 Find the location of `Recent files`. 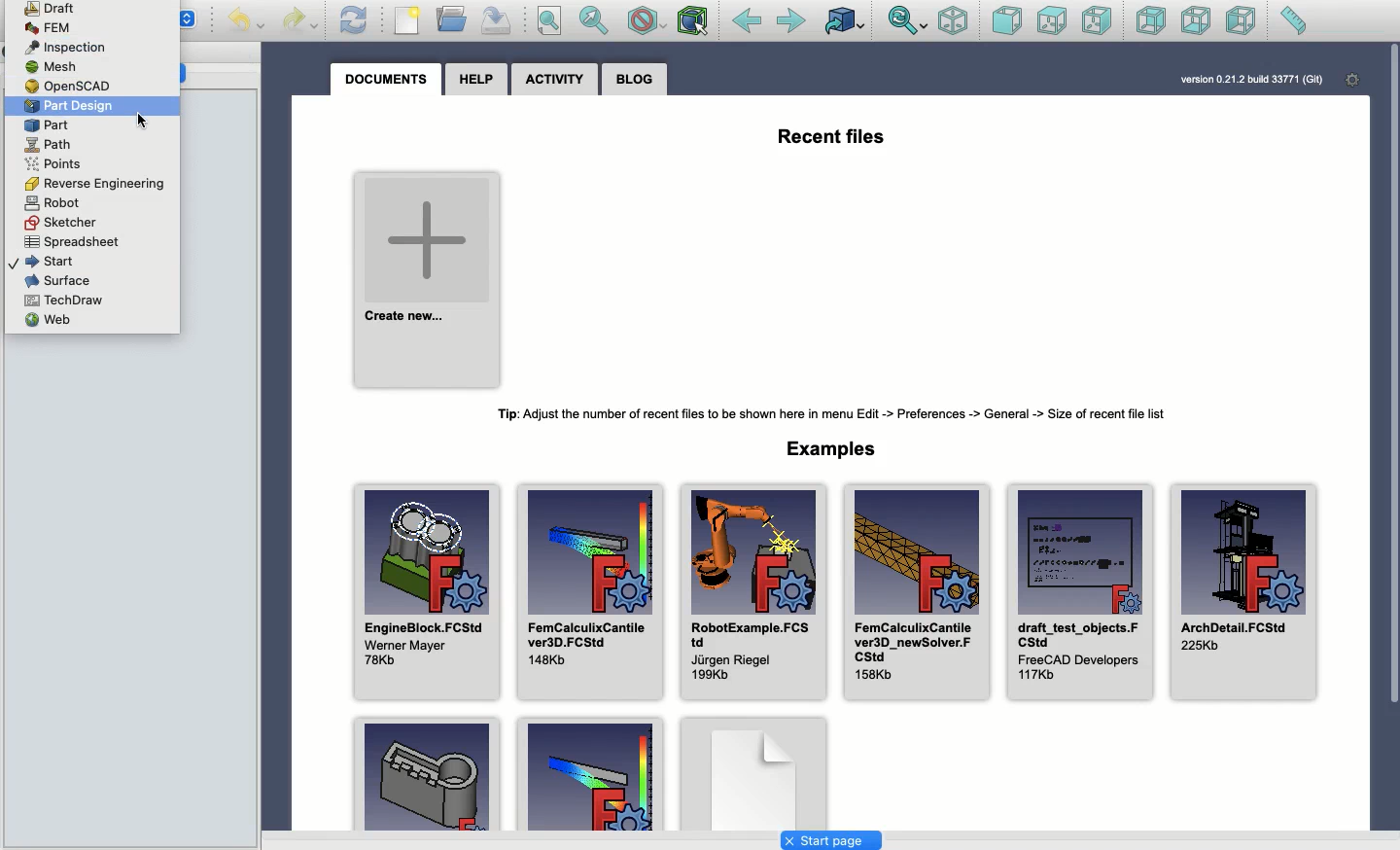

Recent files is located at coordinates (831, 138).